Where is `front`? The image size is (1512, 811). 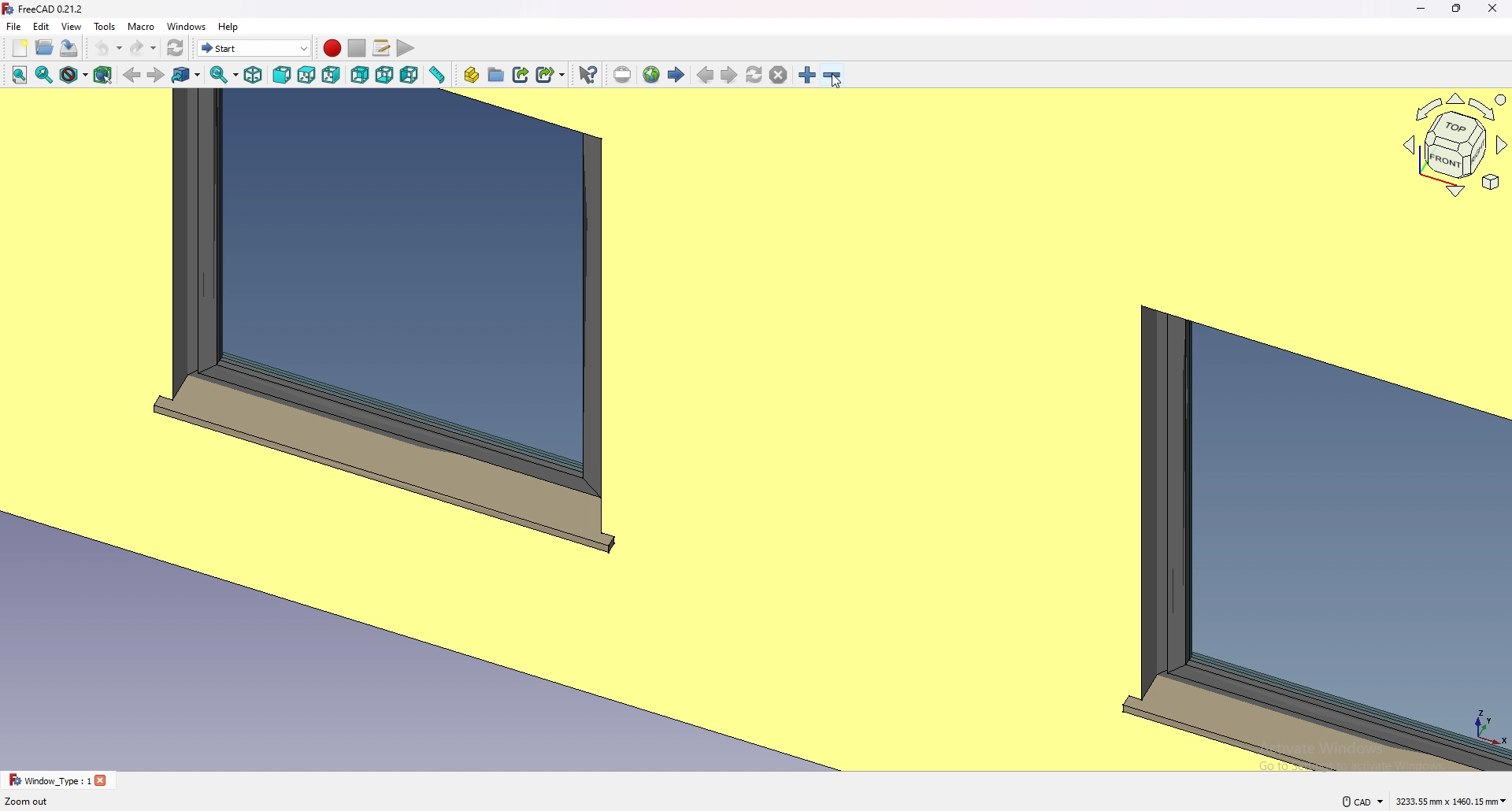 front is located at coordinates (283, 76).